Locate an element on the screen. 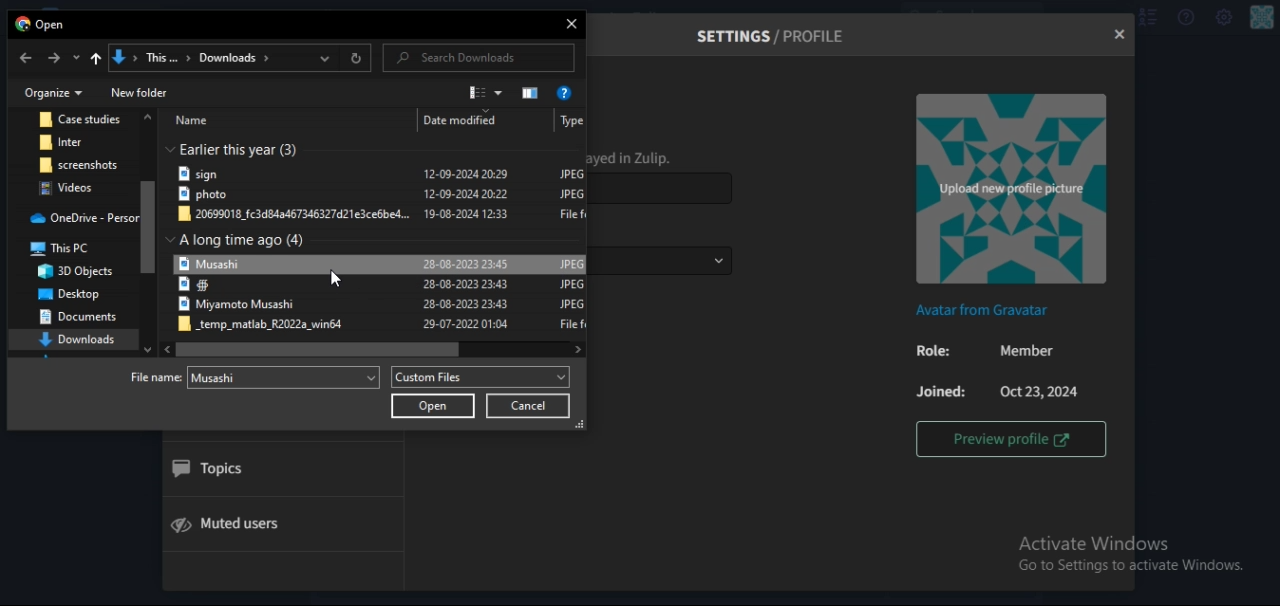 This screenshot has width=1280, height=606. text is located at coordinates (242, 240).